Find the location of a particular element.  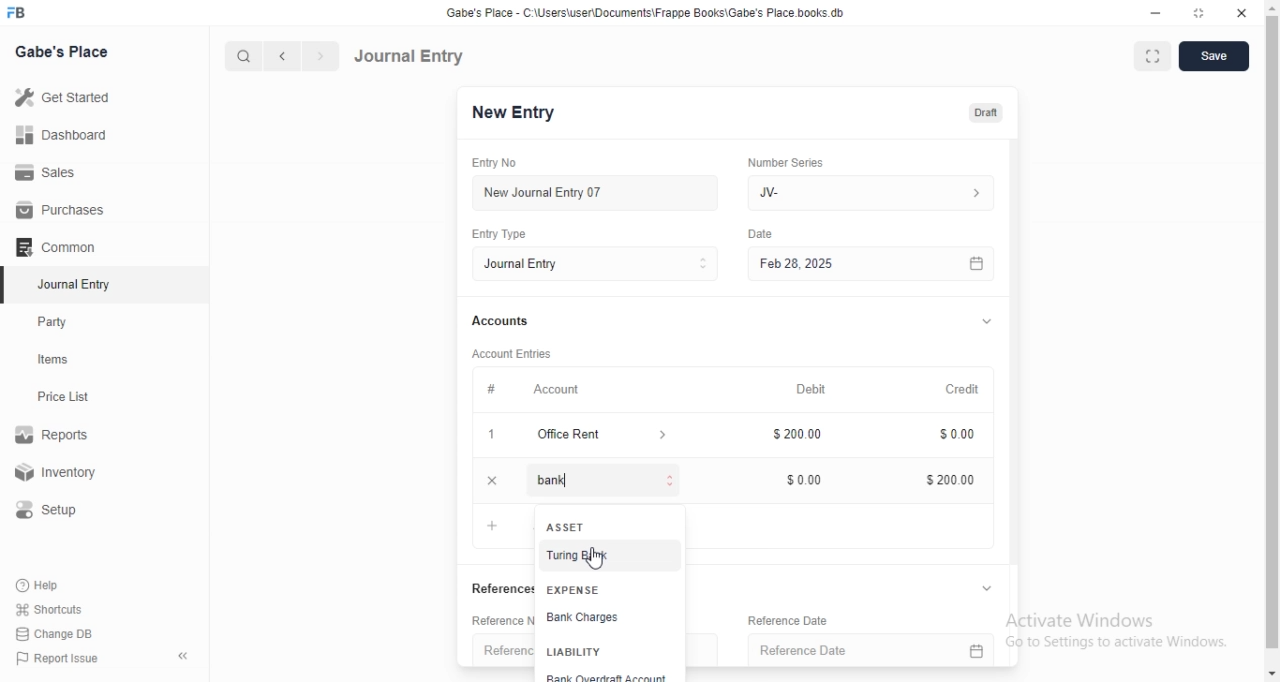

‘Report Issue is located at coordinates (55, 658).